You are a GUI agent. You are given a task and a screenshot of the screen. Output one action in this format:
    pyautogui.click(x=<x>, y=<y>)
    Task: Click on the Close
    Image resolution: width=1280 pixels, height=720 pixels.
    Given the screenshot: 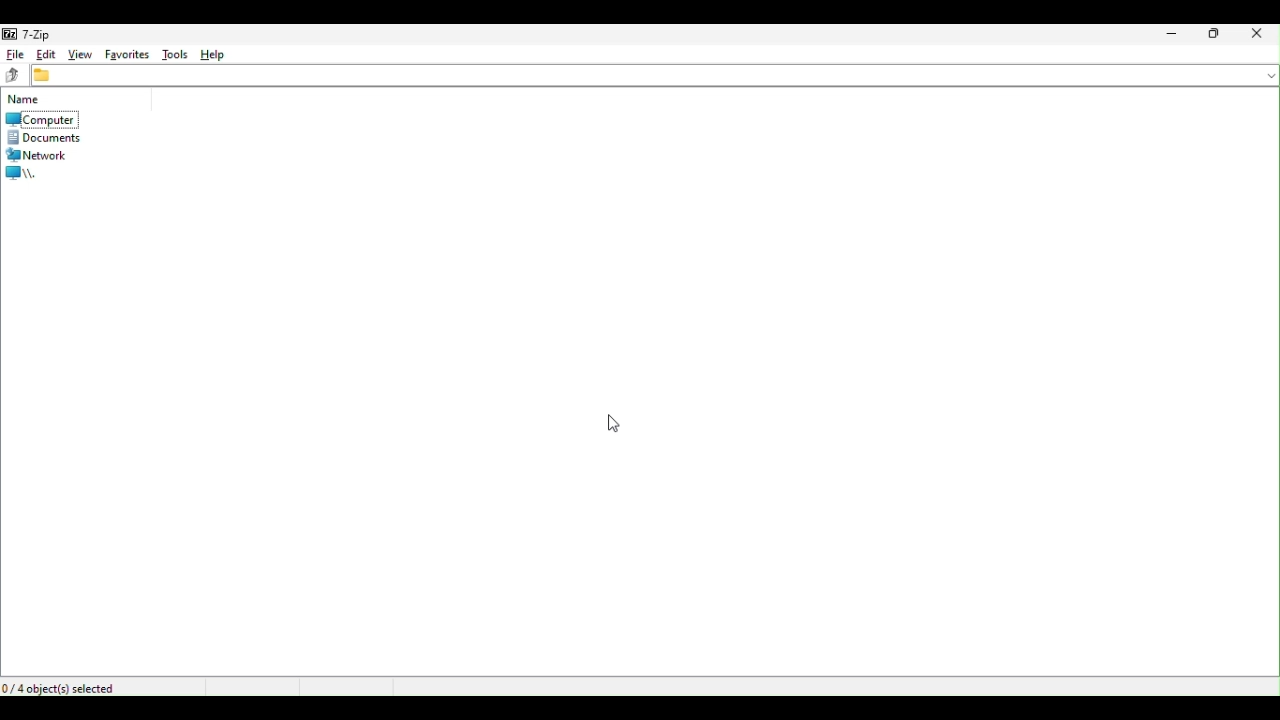 What is the action you would take?
    pyautogui.click(x=1262, y=34)
    